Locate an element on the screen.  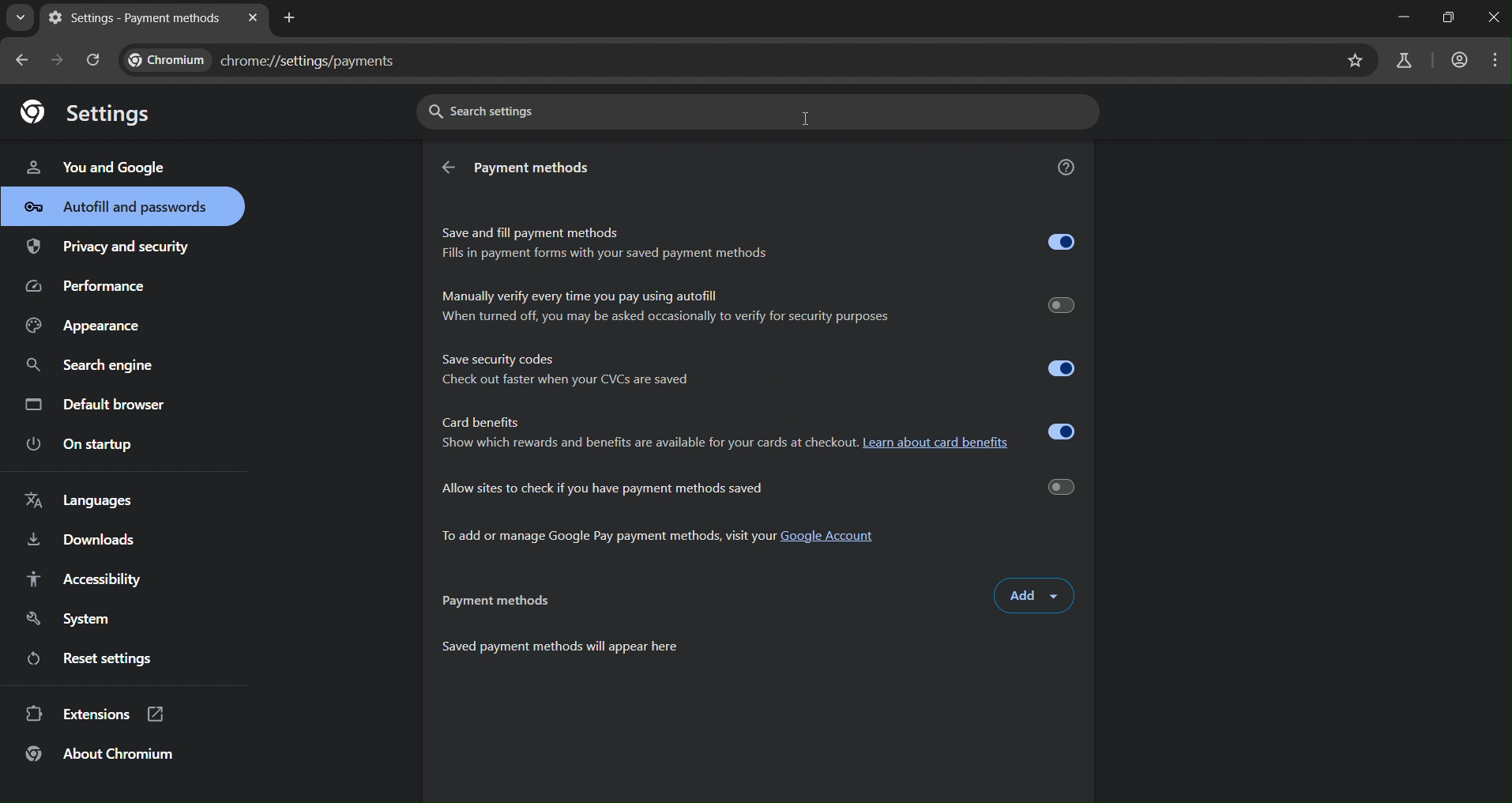
cursor is located at coordinates (806, 117).